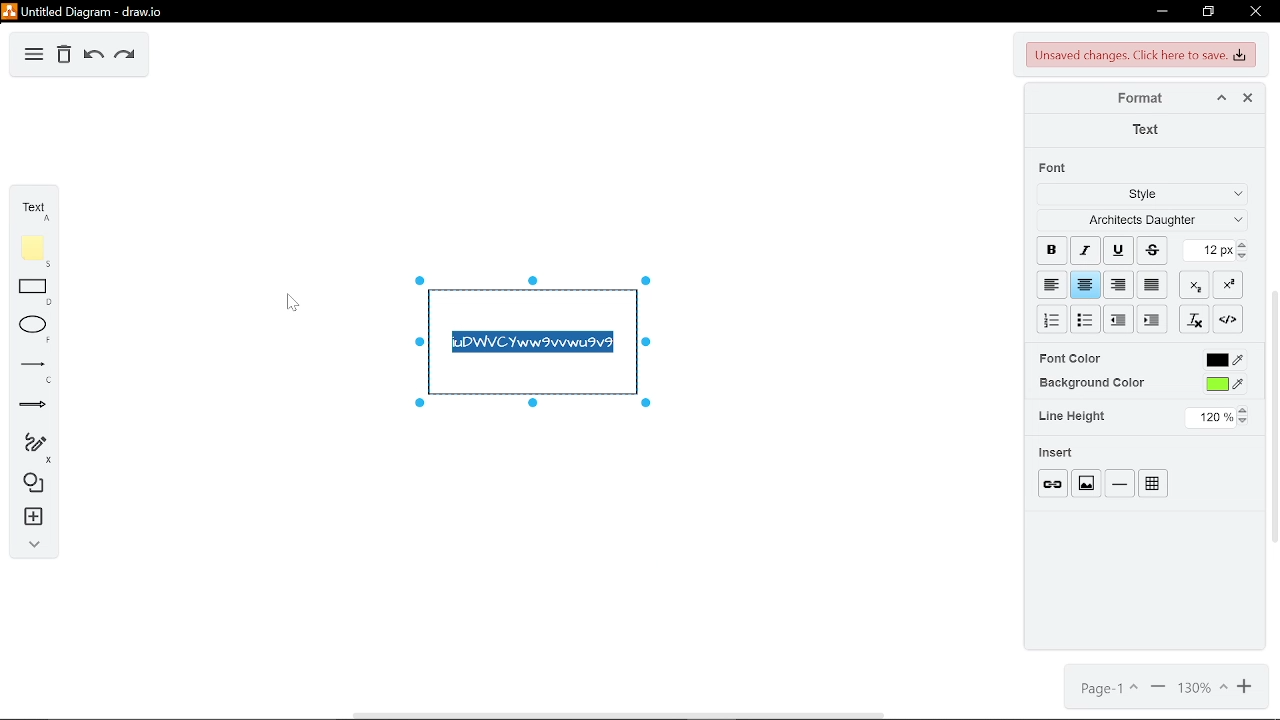  What do you see at coordinates (1152, 250) in the screenshot?
I see `strikethrough` at bounding box center [1152, 250].